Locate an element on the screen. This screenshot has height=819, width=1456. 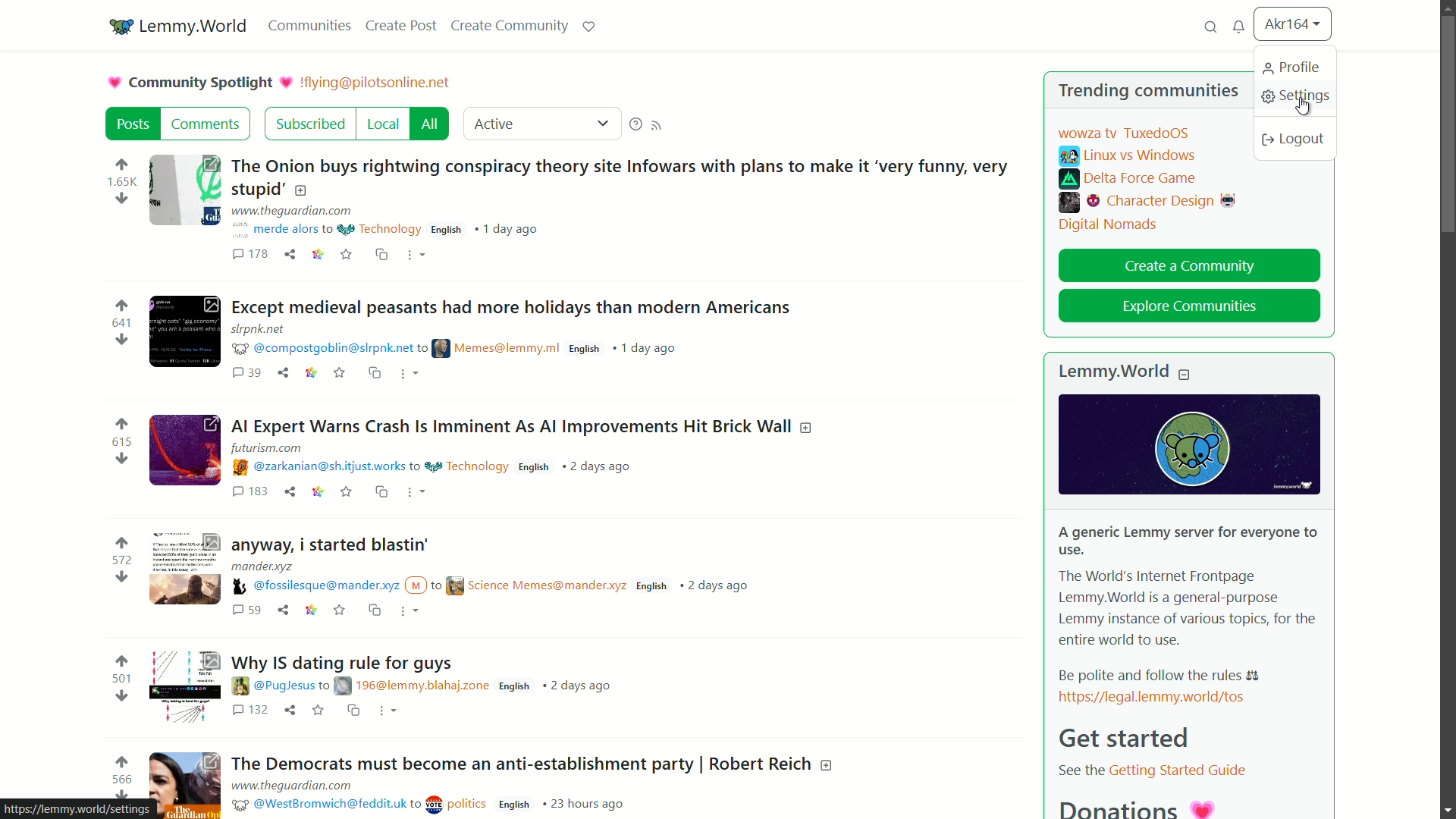
downvote is located at coordinates (122, 199).